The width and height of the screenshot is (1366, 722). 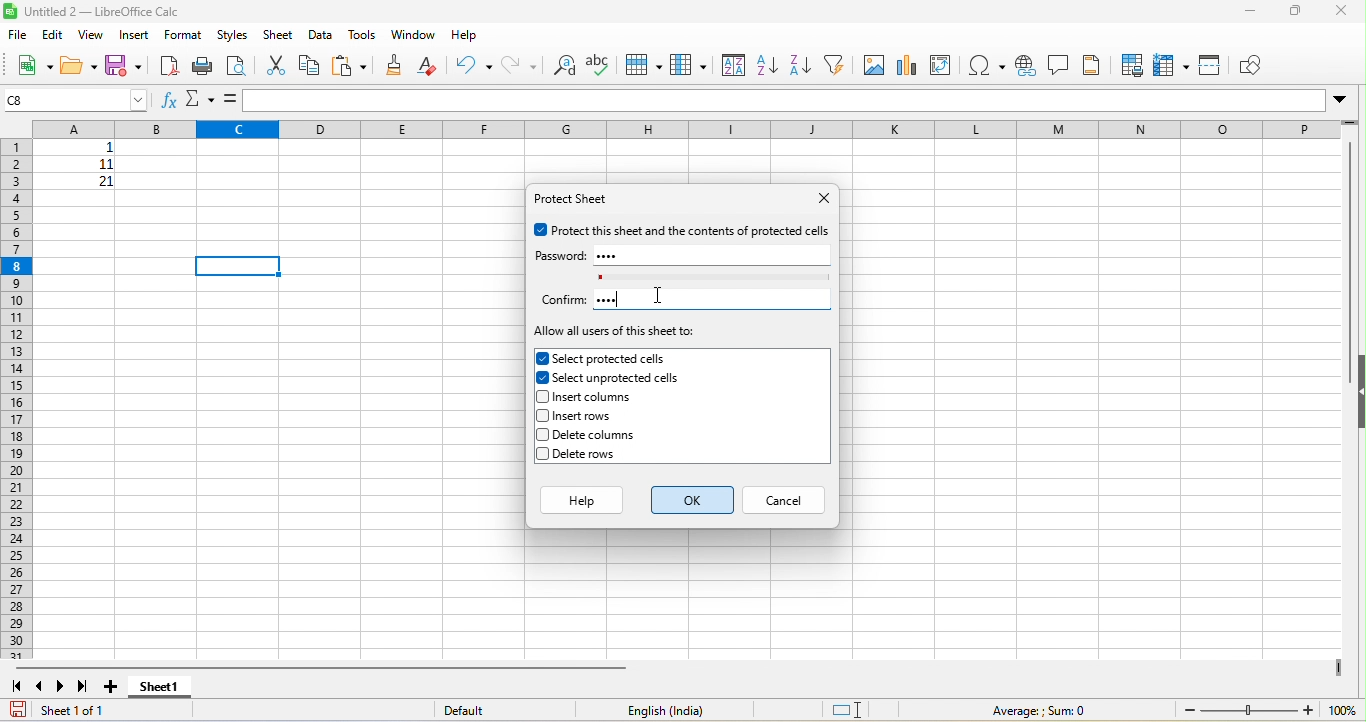 I want to click on show draw function, so click(x=1256, y=67).